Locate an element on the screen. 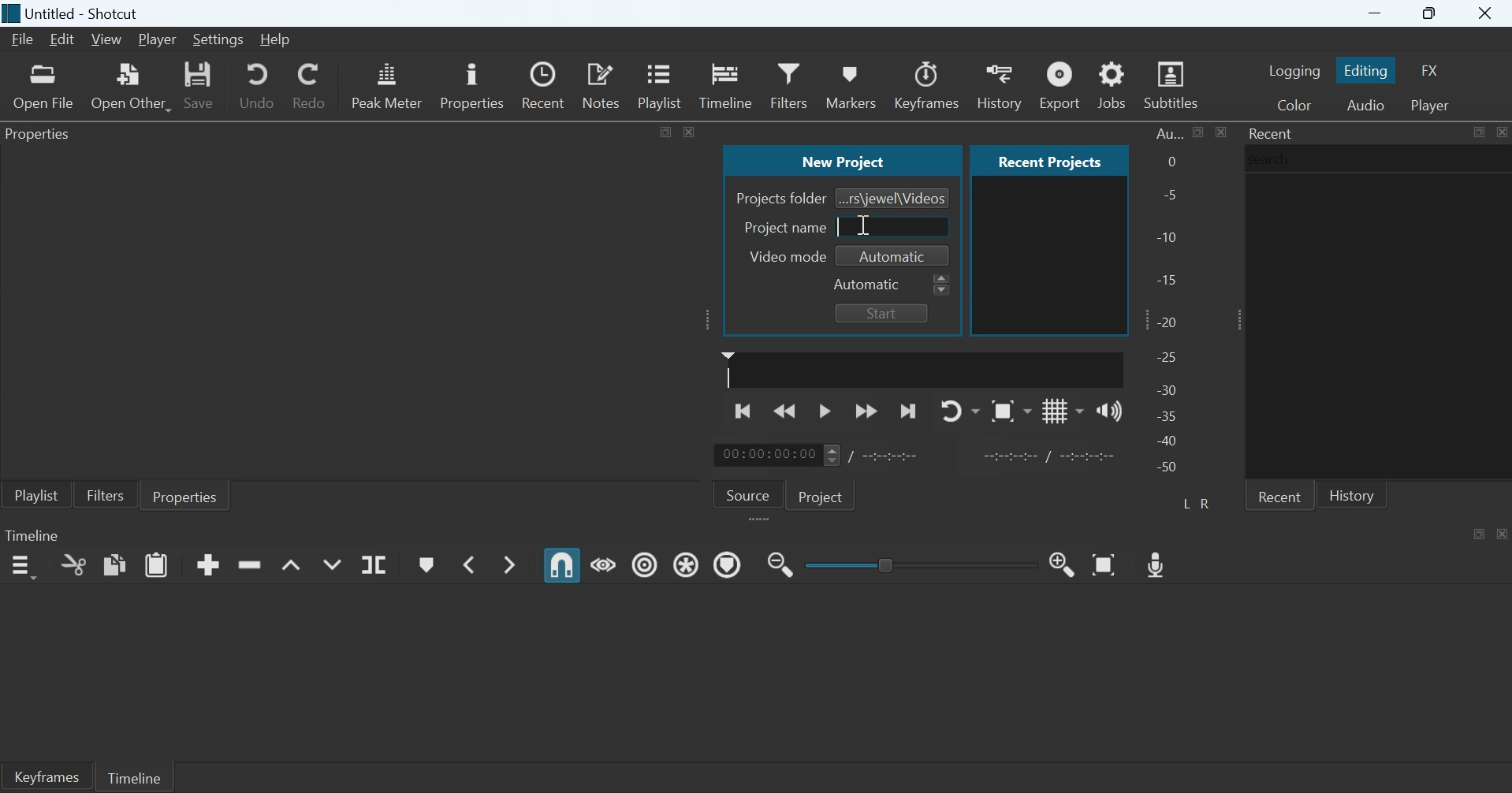 This screenshot has height=793, width=1512. Timeline is located at coordinates (726, 84).